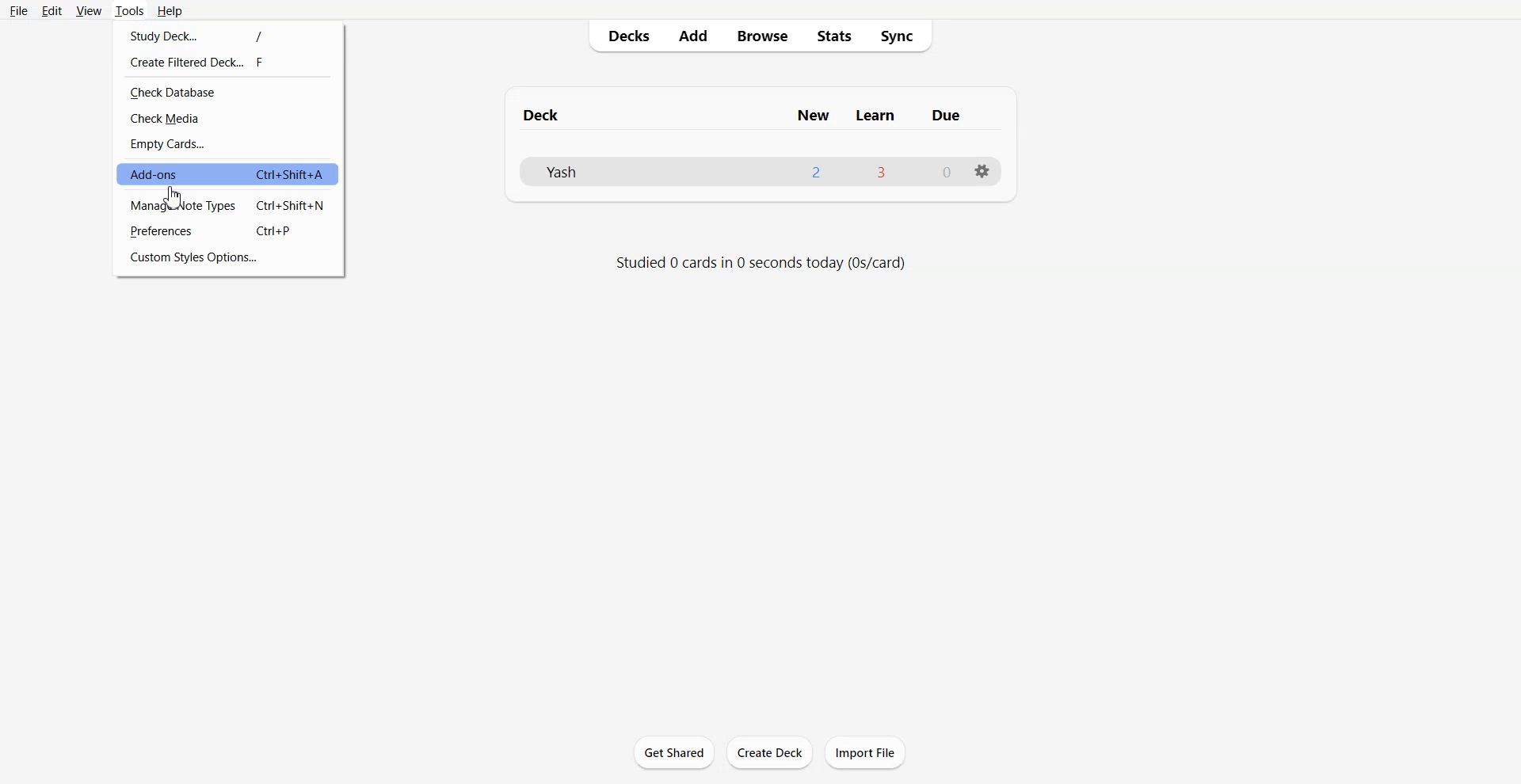  What do you see at coordinates (769, 752) in the screenshot?
I see `Create Deck` at bounding box center [769, 752].